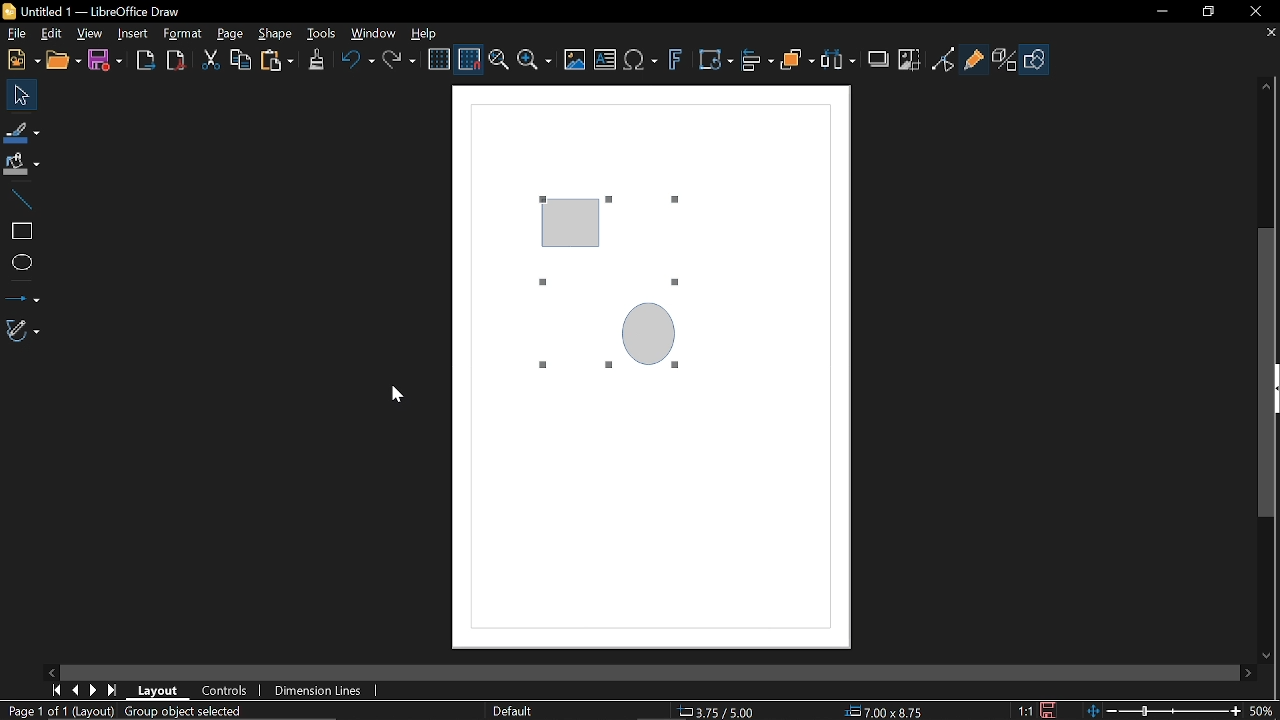 The image size is (1280, 720). Describe the element at coordinates (1034, 59) in the screenshot. I see `Shapes` at that location.